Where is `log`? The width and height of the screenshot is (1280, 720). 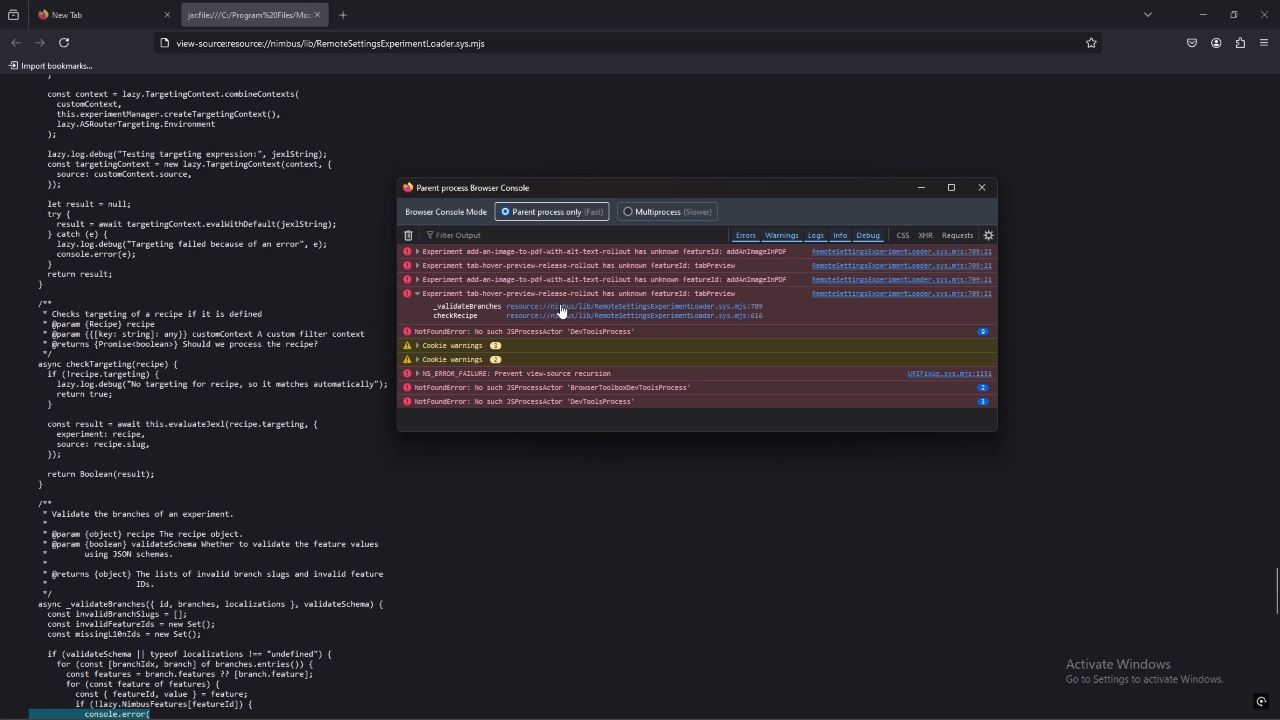
log is located at coordinates (594, 252).